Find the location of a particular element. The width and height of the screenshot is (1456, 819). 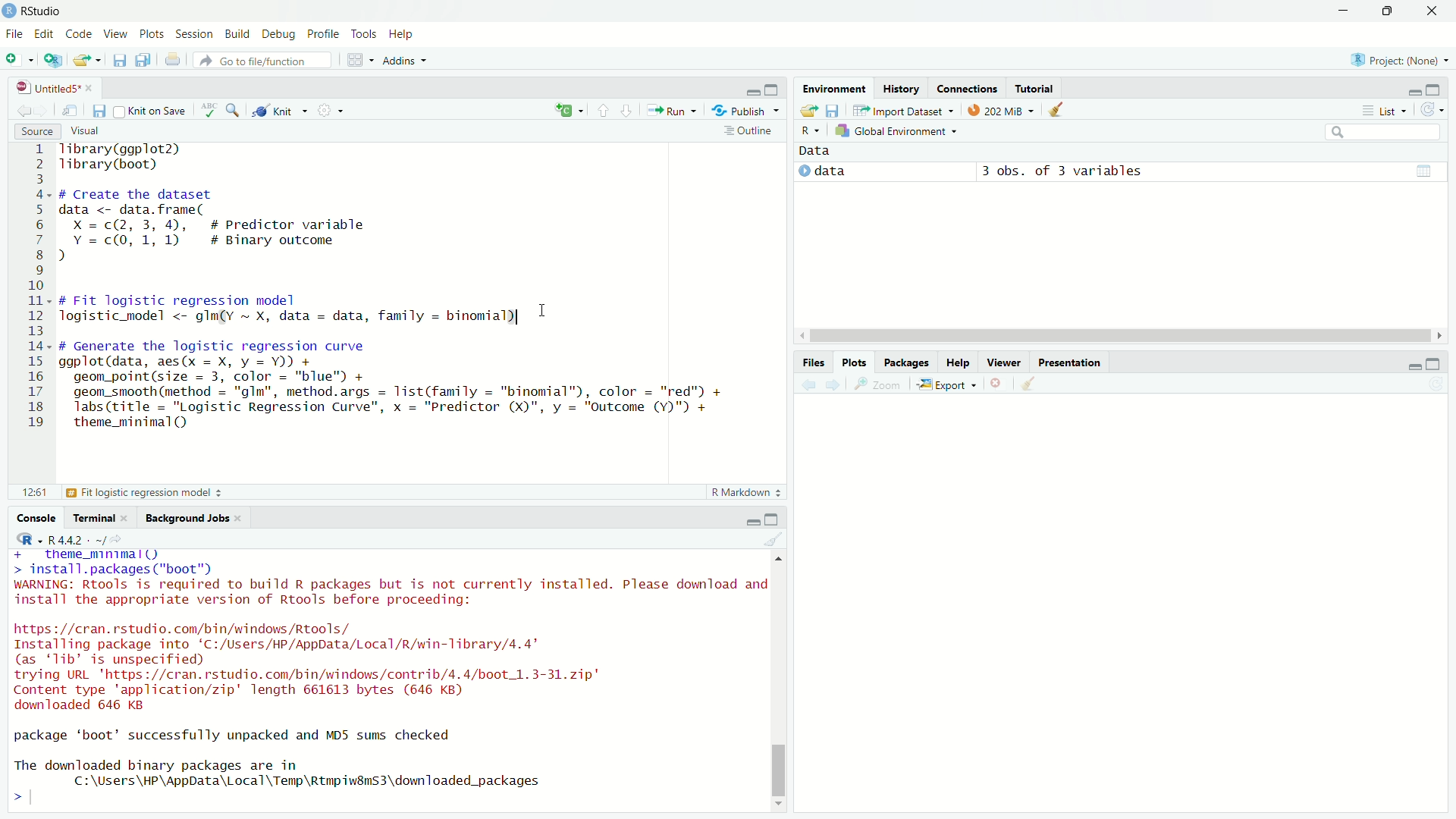

Search bar is located at coordinates (1384, 133).